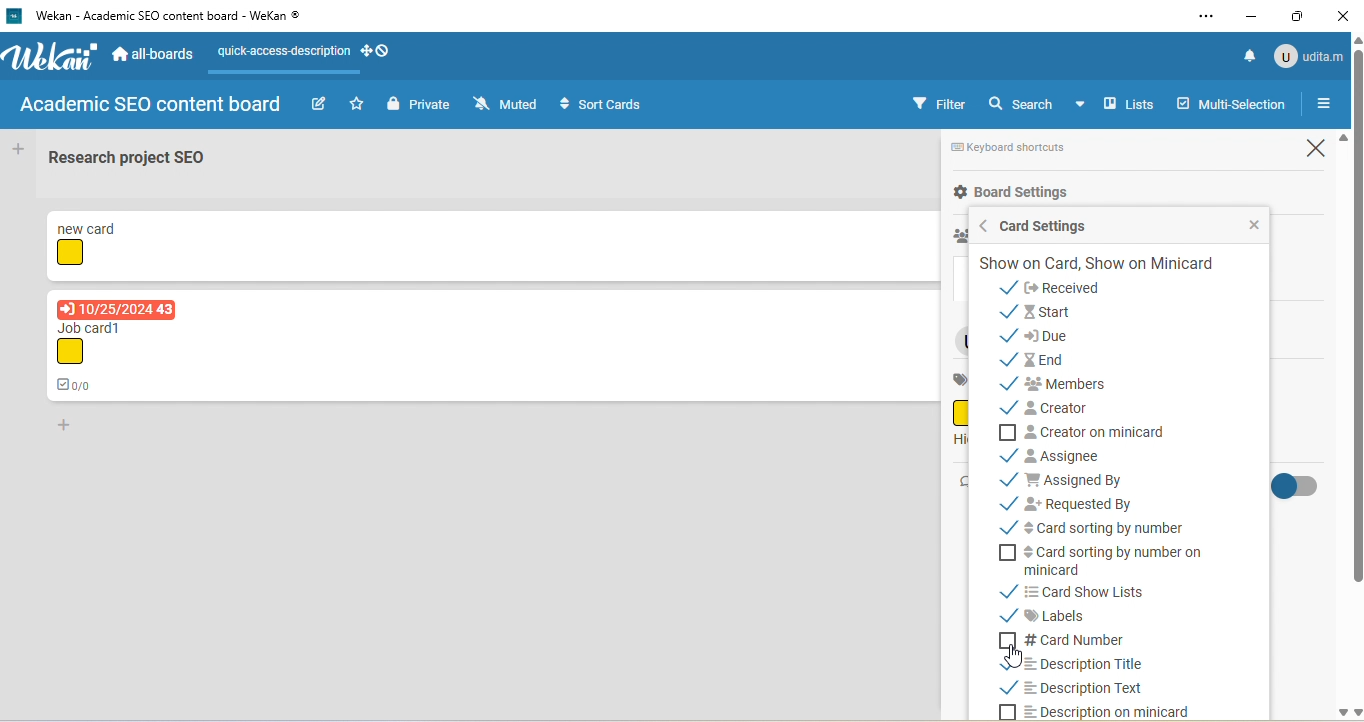 The image size is (1364, 722). Describe the element at coordinates (1130, 103) in the screenshot. I see `lists` at that location.